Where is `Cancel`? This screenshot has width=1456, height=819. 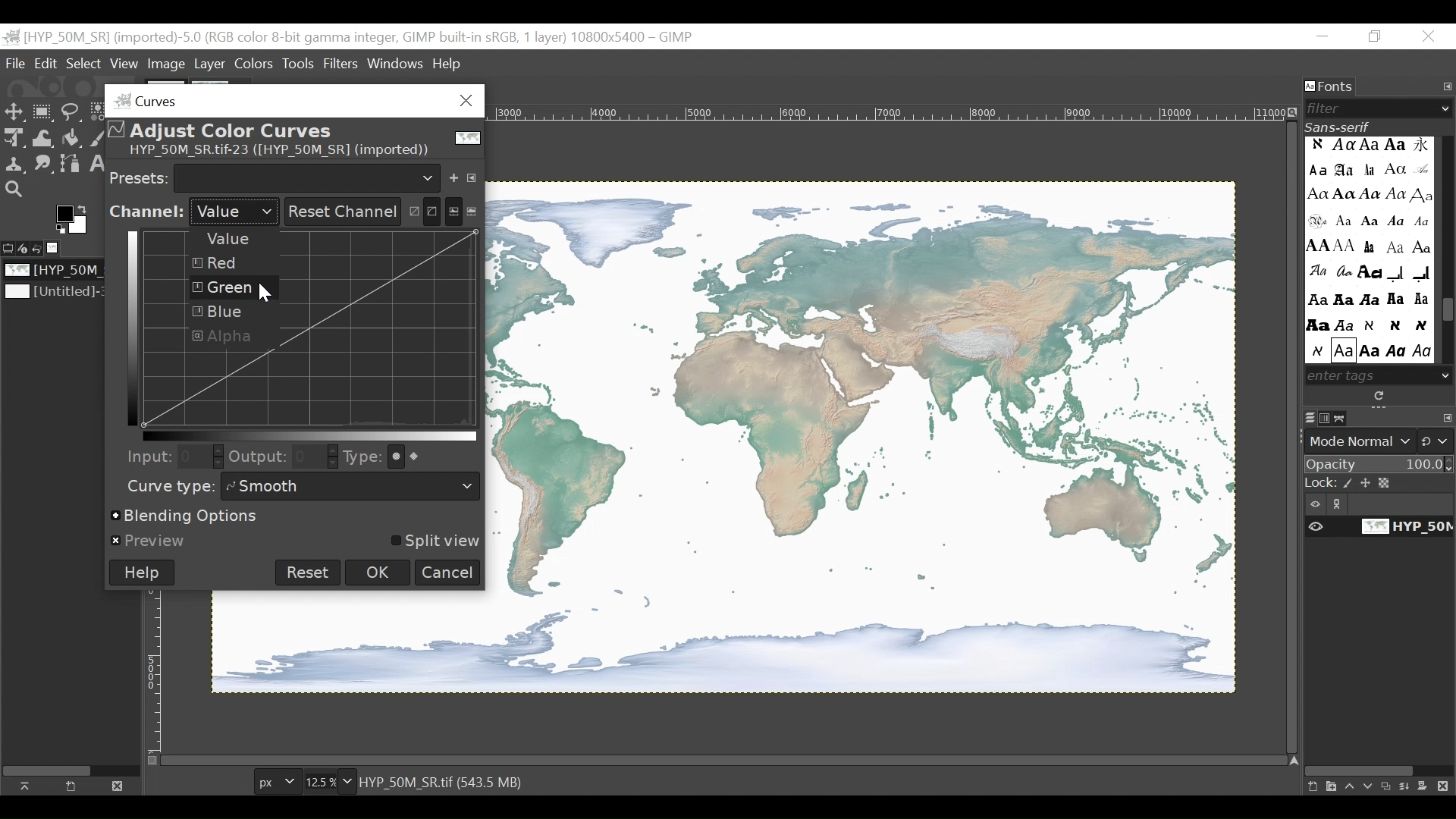 Cancel is located at coordinates (448, 573).